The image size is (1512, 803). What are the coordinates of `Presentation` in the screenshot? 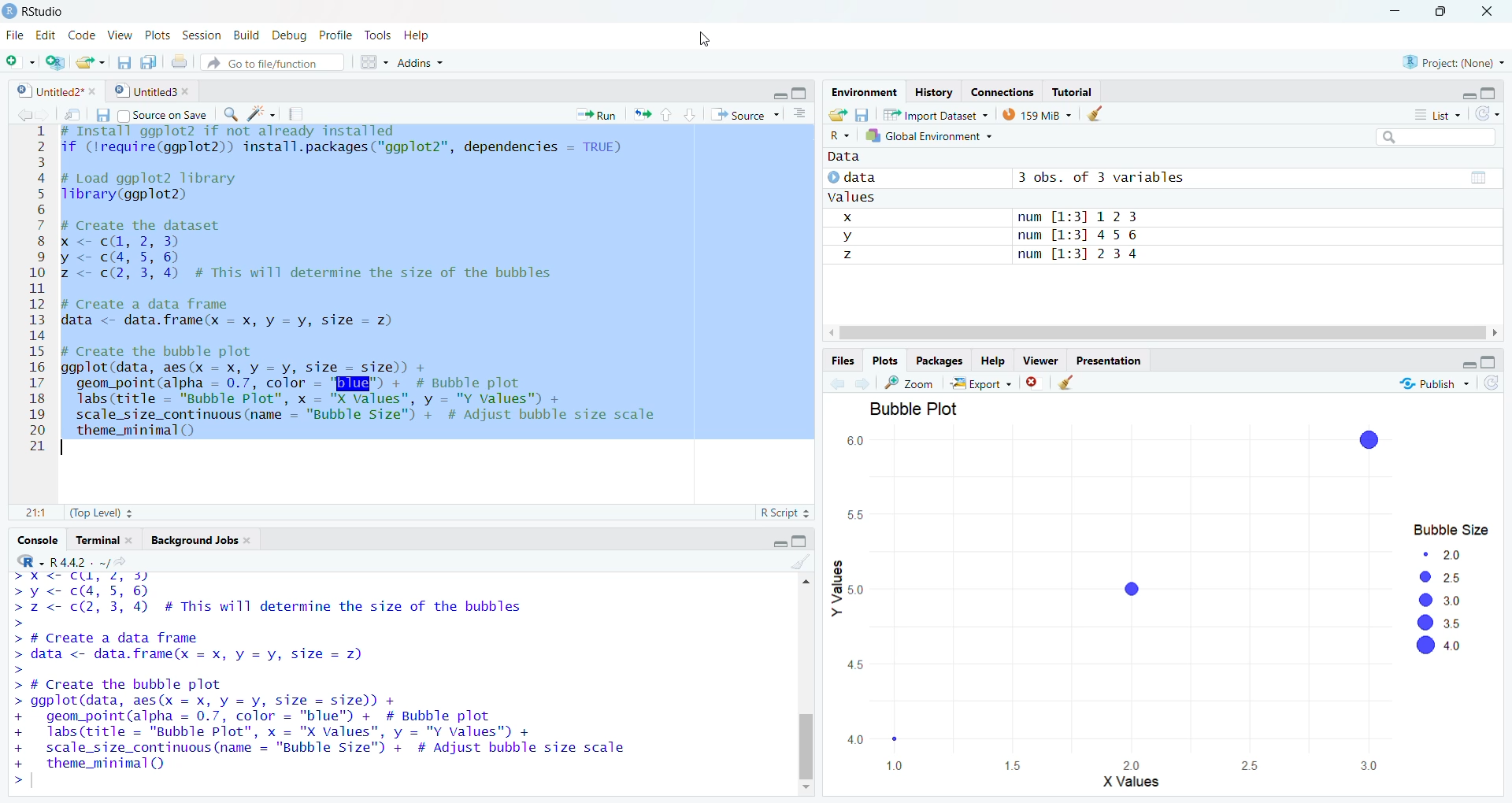 It's located at (1110, 361).